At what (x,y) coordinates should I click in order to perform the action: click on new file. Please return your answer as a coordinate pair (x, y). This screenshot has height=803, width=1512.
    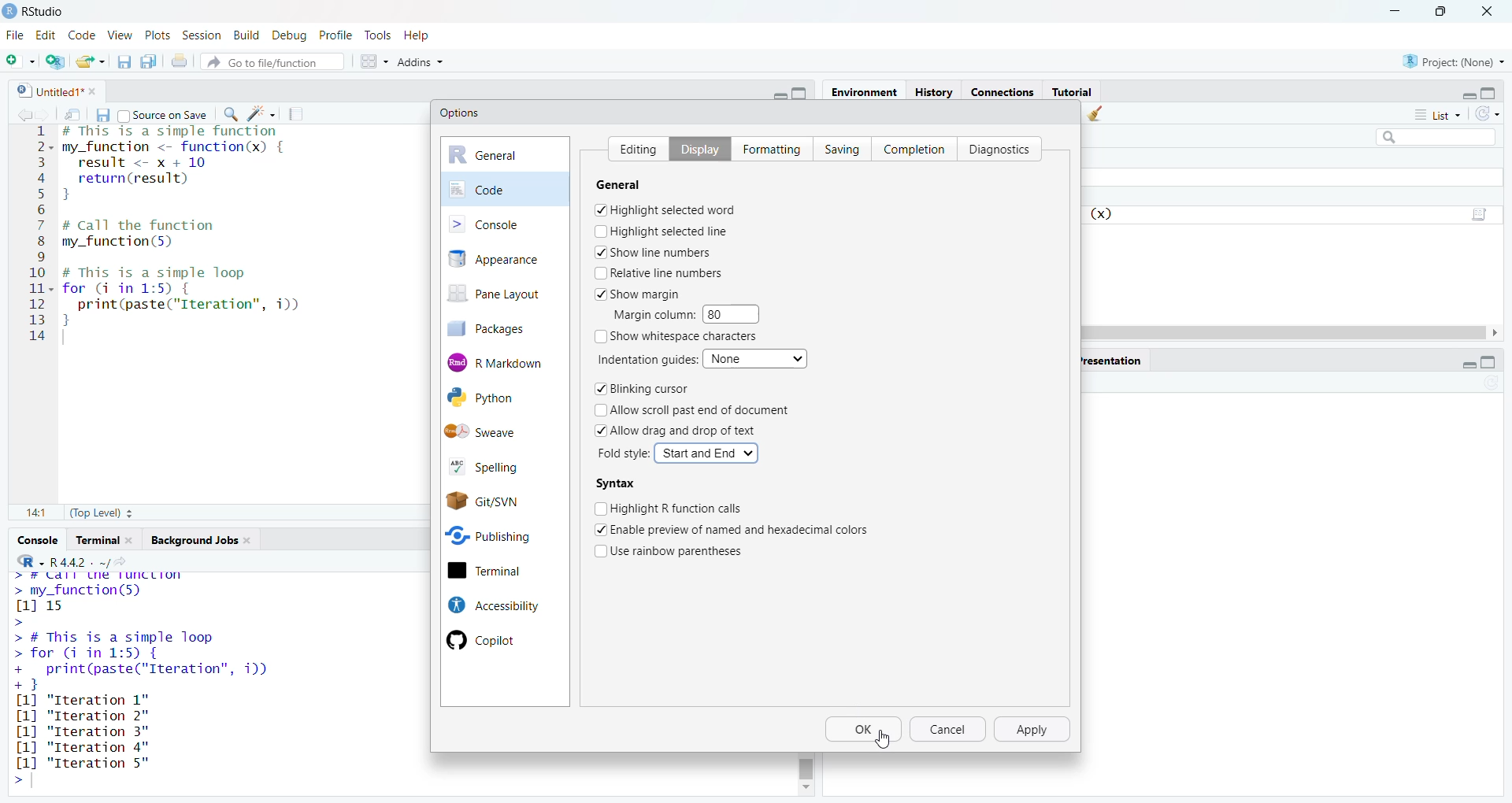
    Looking at the image, I should click on (20, 58).